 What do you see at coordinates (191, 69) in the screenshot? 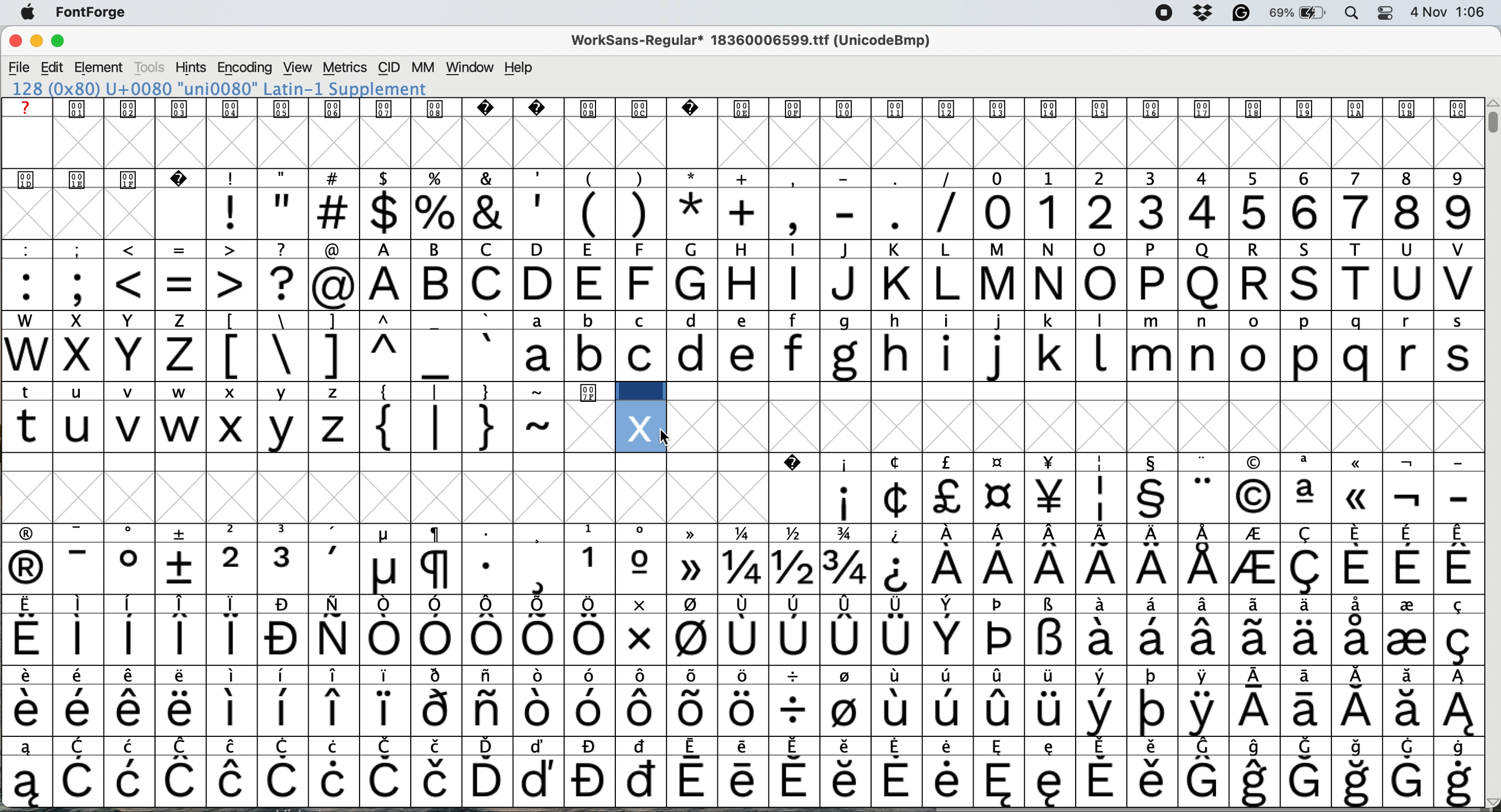
I see `hints` at bounding box center [191, 69].